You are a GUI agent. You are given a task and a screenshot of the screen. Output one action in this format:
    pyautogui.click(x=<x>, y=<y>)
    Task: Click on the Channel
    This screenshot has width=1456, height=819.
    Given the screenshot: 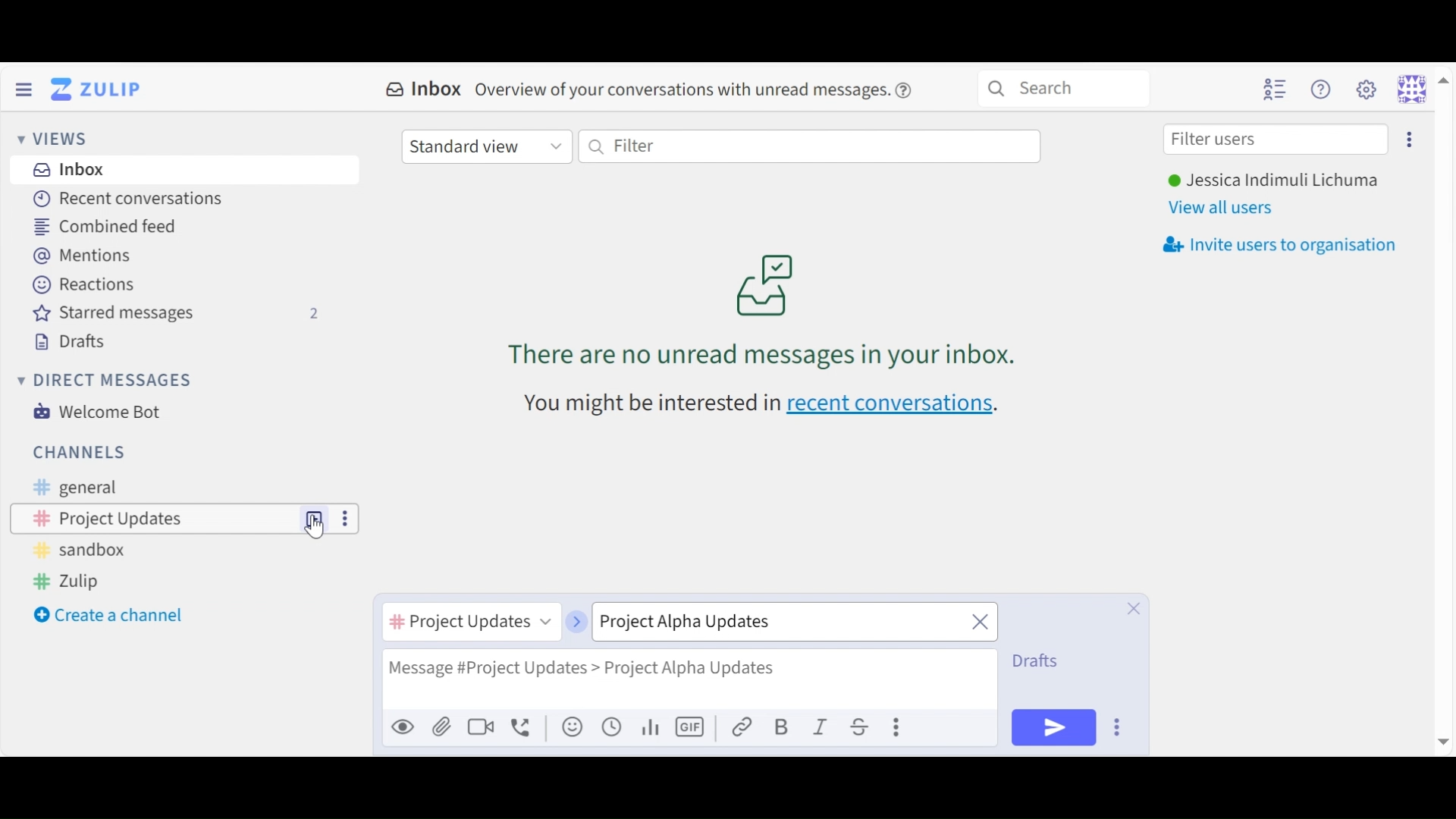 What is the action you would take?
    pyautogui.click(x=155, y=518)
    